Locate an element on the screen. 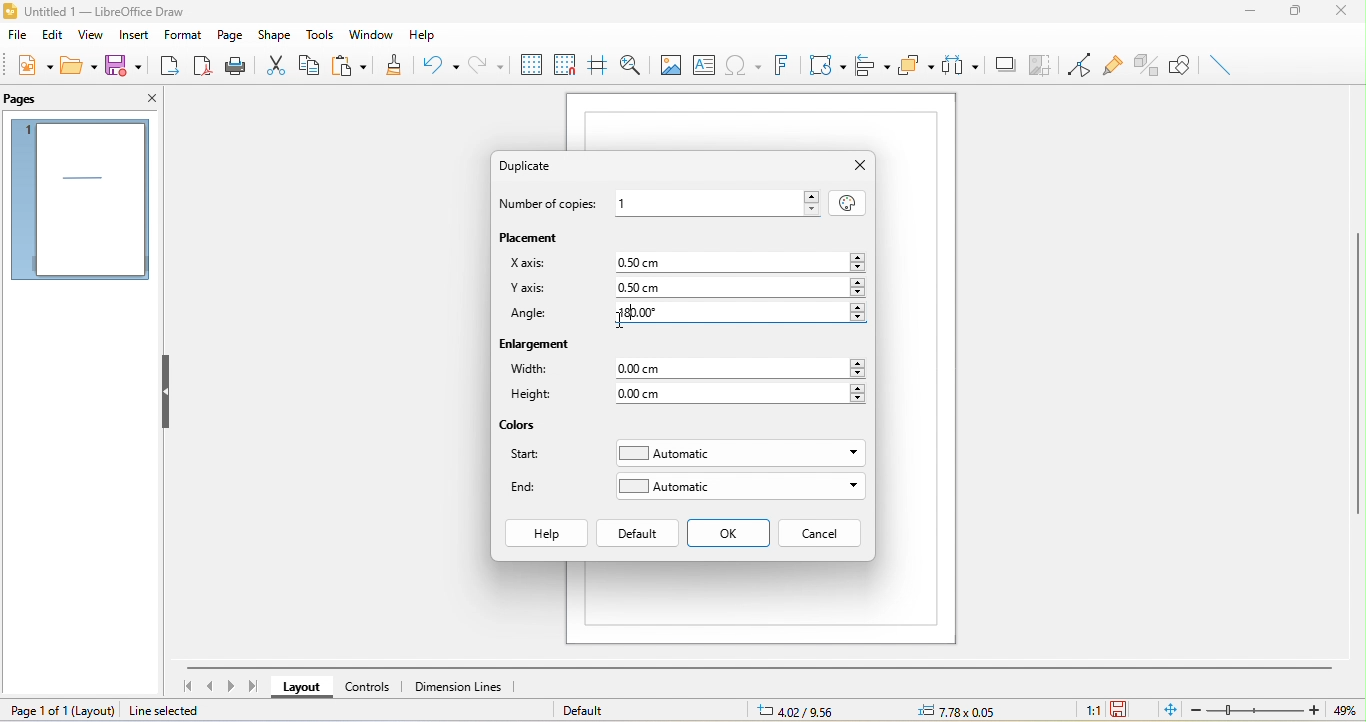 The image size is (1366, 722). 7.26/9.58 is located at coordinates (808, 711).